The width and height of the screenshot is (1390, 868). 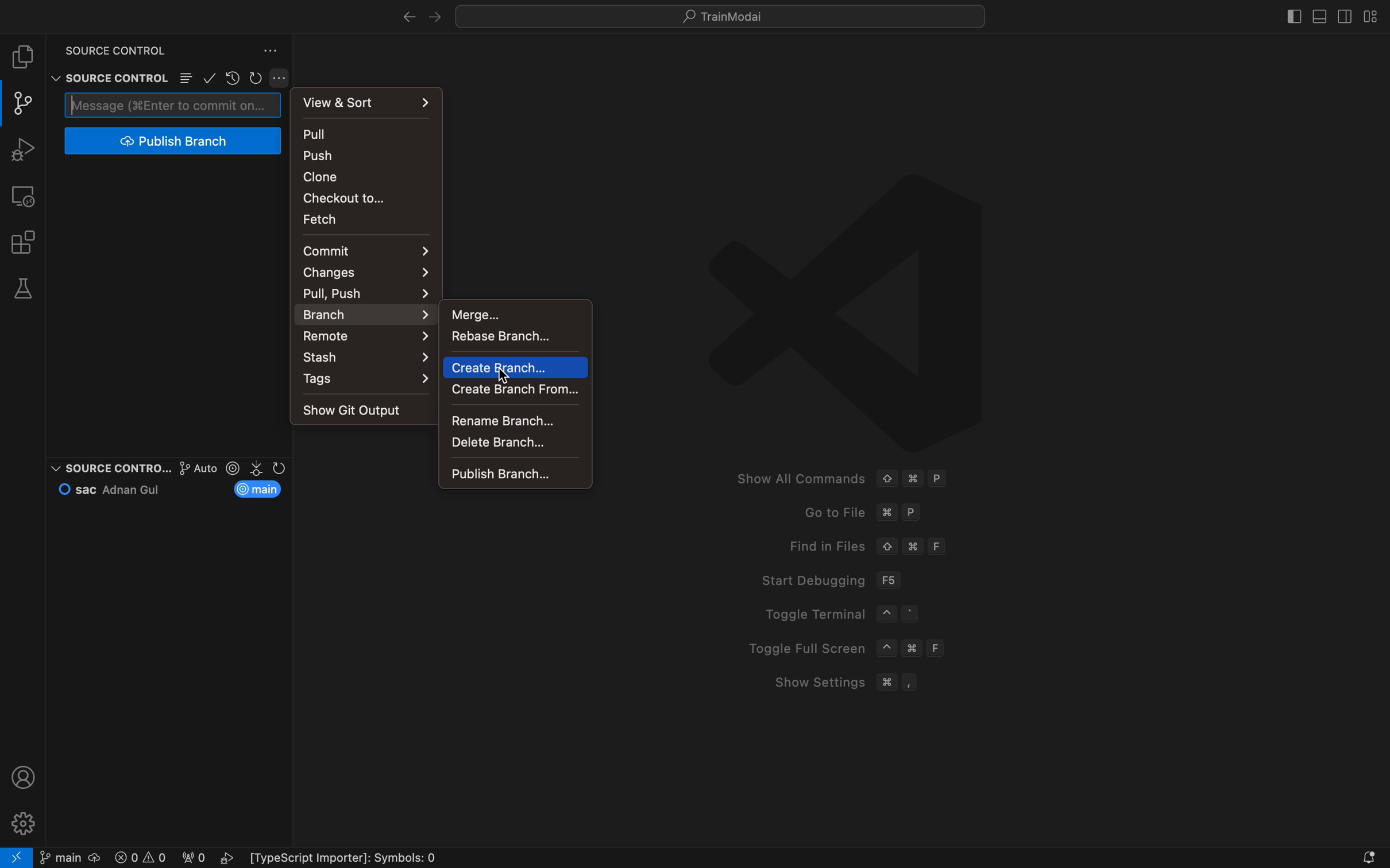 What do you see at coordinates (511, 340) in the screenshot?
I see `rebase` at bounding box center [511, 340].